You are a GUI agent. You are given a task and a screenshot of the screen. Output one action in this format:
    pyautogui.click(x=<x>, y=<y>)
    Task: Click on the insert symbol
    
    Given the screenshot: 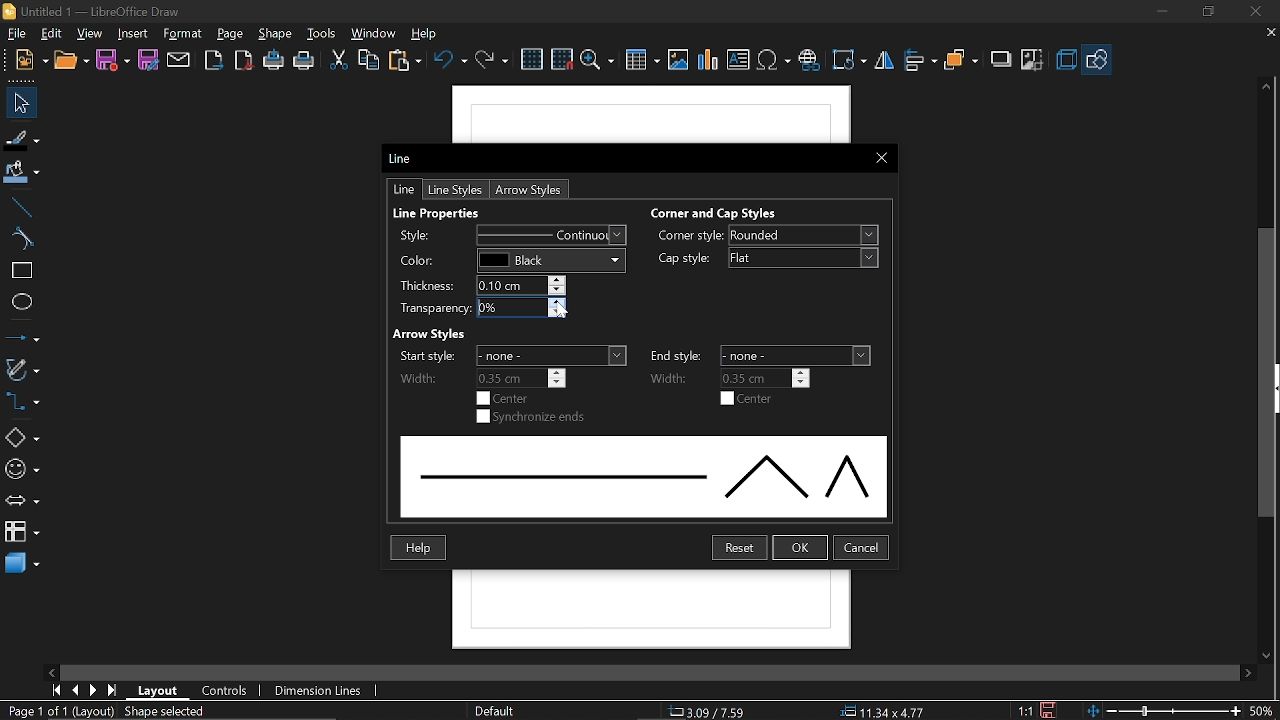 What is the action you would take?
    pyautogui.click(x=774, y=59)
    